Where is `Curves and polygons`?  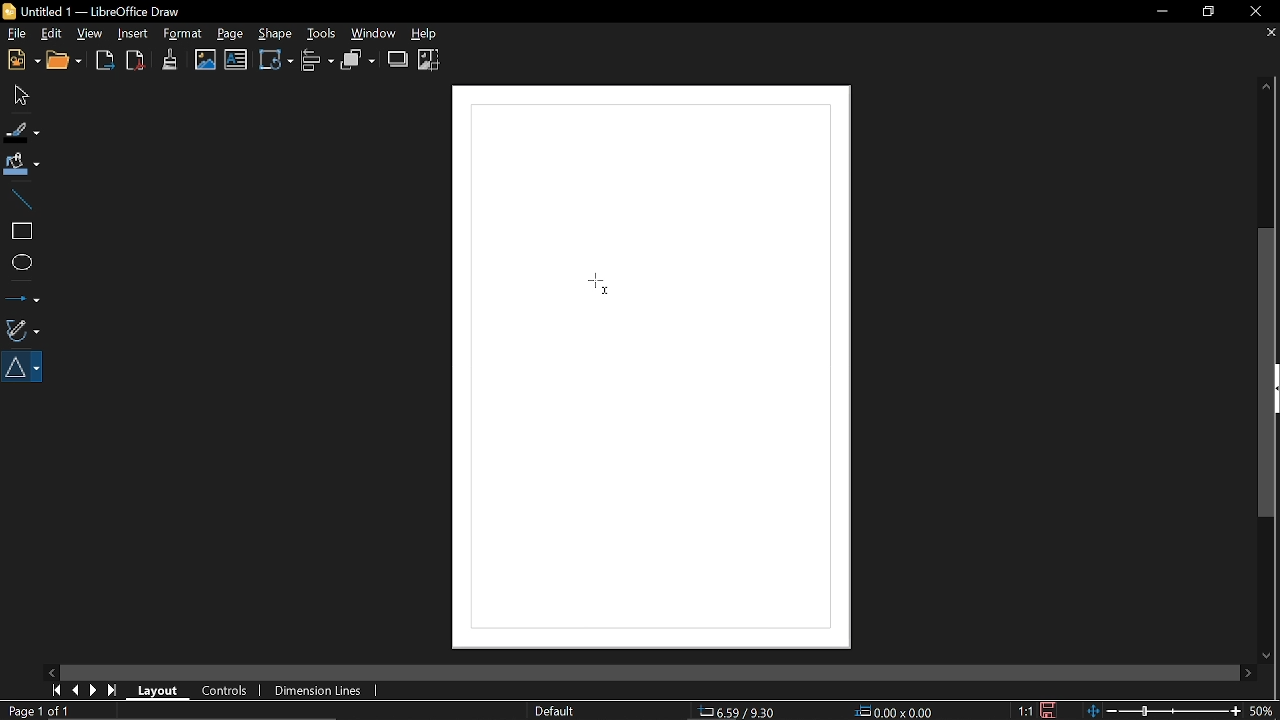
Curves and polygons is located at coordinates (21, 328).